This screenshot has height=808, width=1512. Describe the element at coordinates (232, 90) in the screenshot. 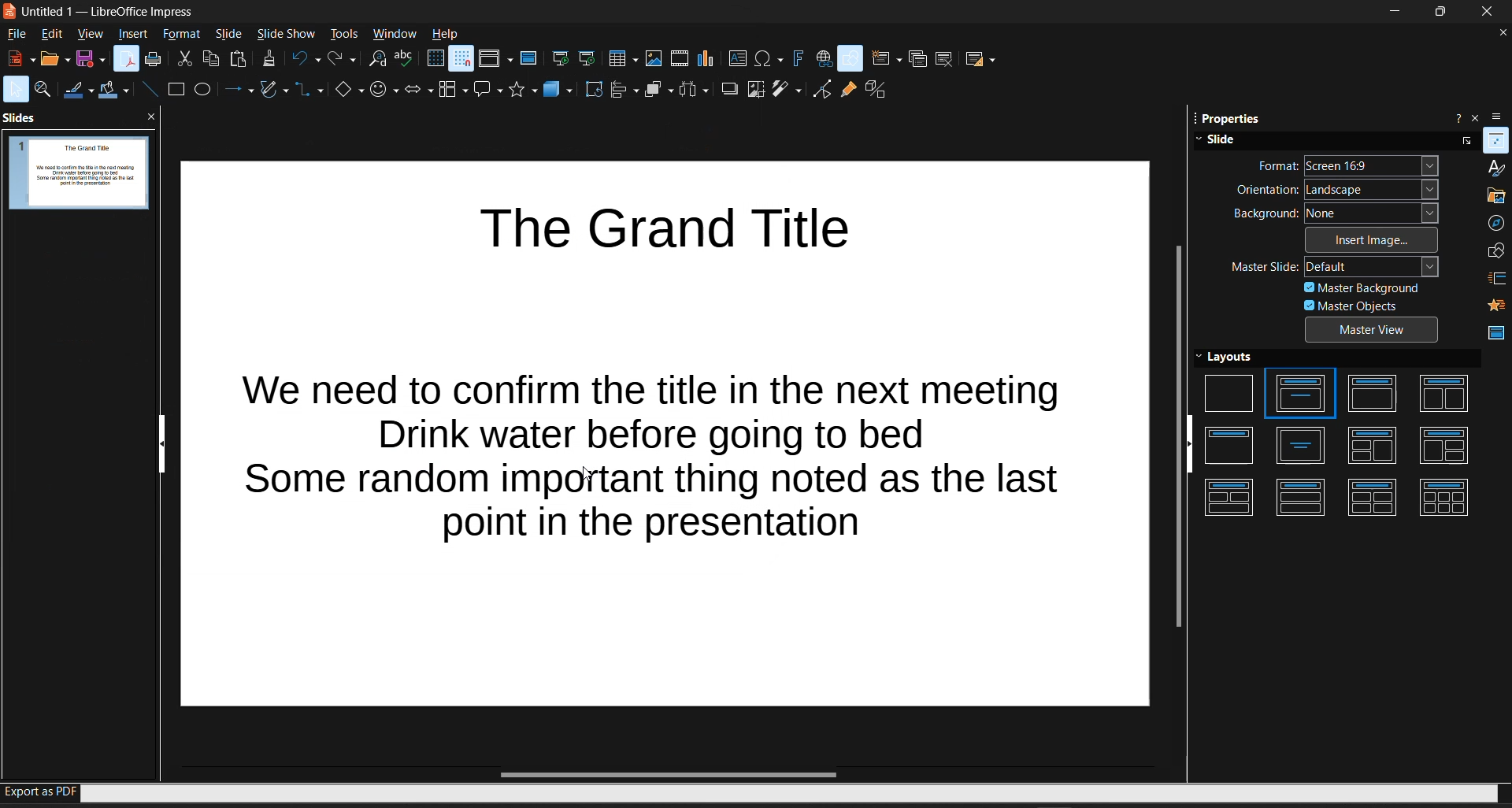

I see `arrows` at that location.